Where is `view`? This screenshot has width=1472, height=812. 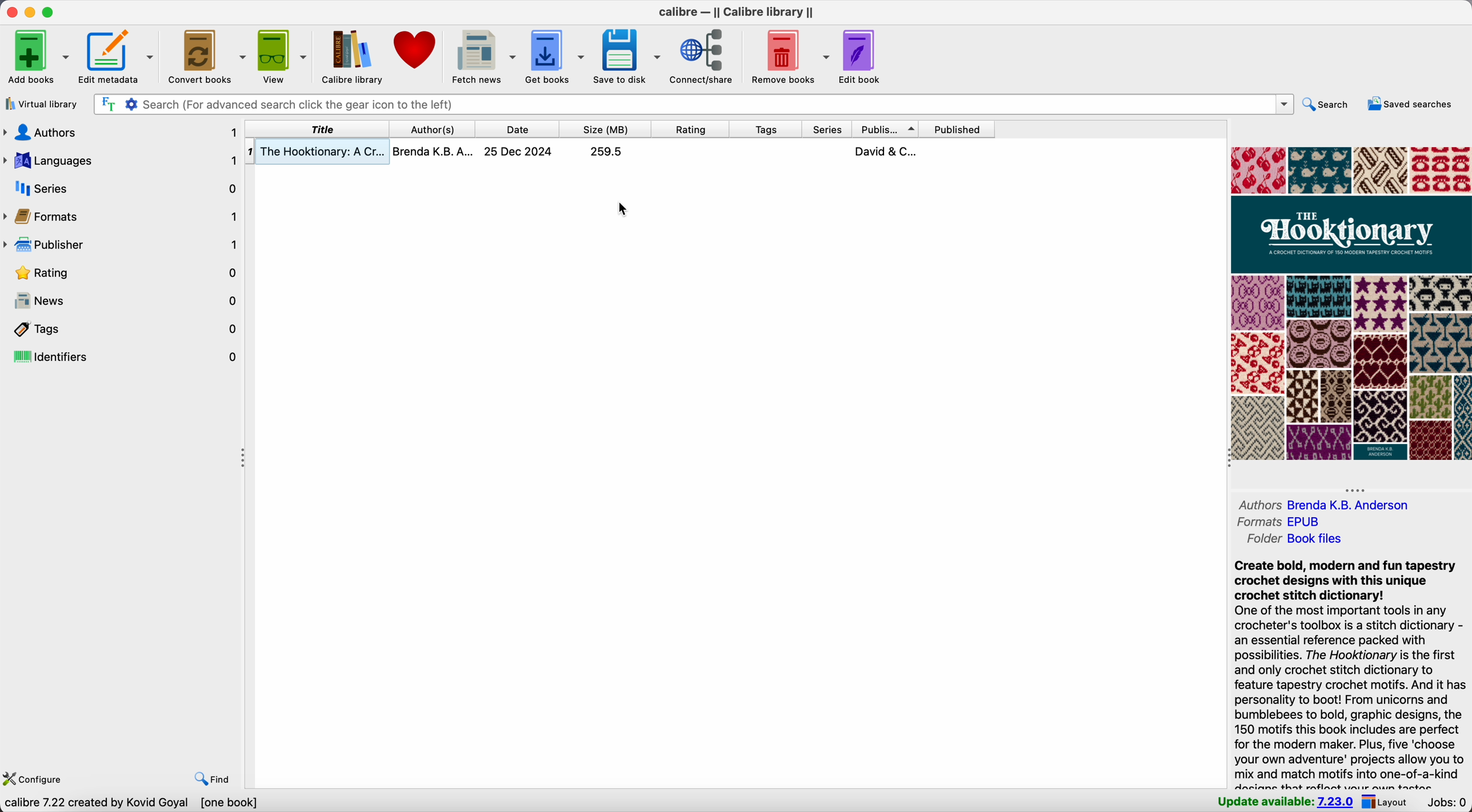
view is located at coordinates (281, 57).